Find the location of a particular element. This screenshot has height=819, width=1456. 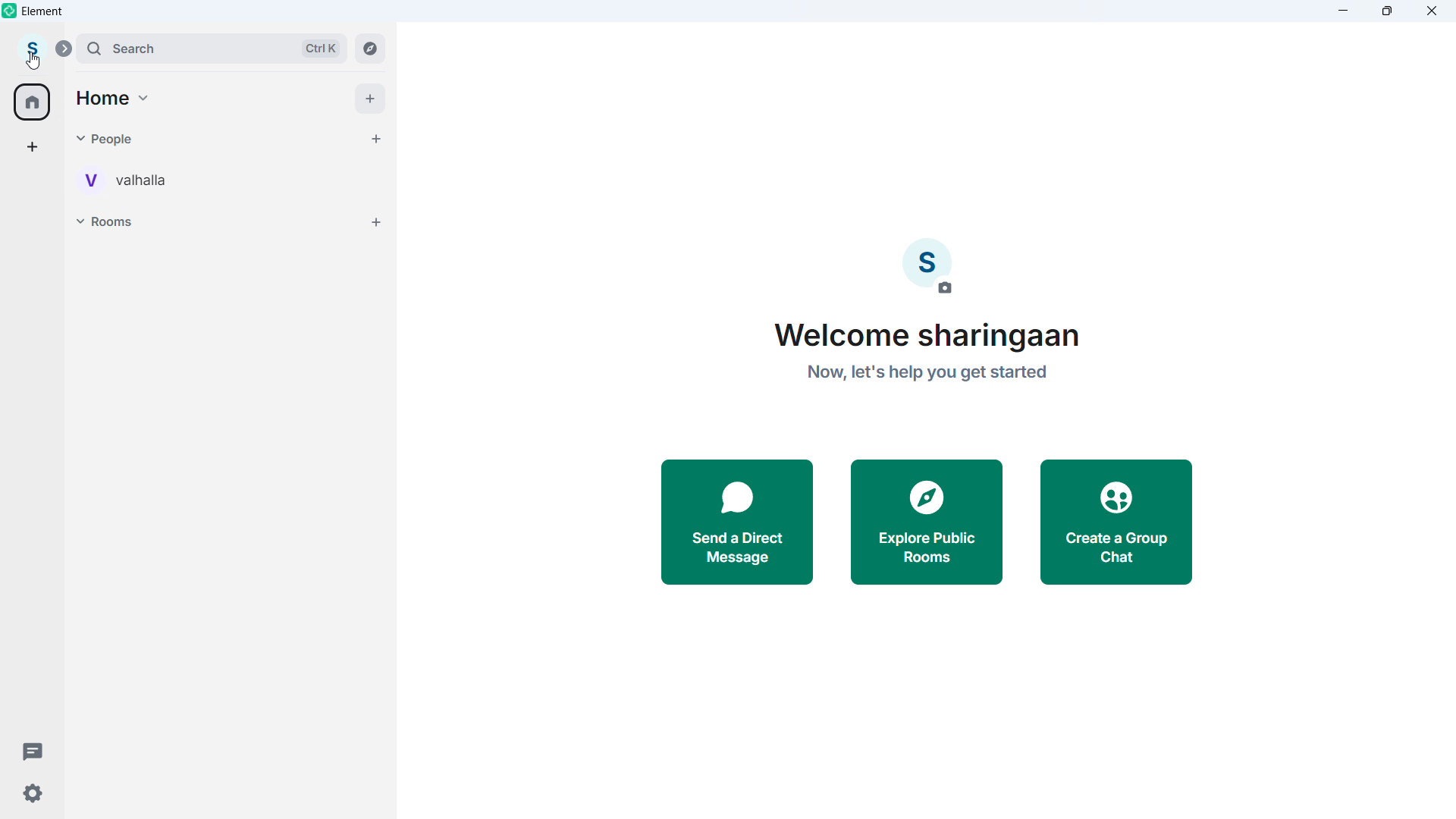

Explore public rooms  is located at coordinates (926, 524).